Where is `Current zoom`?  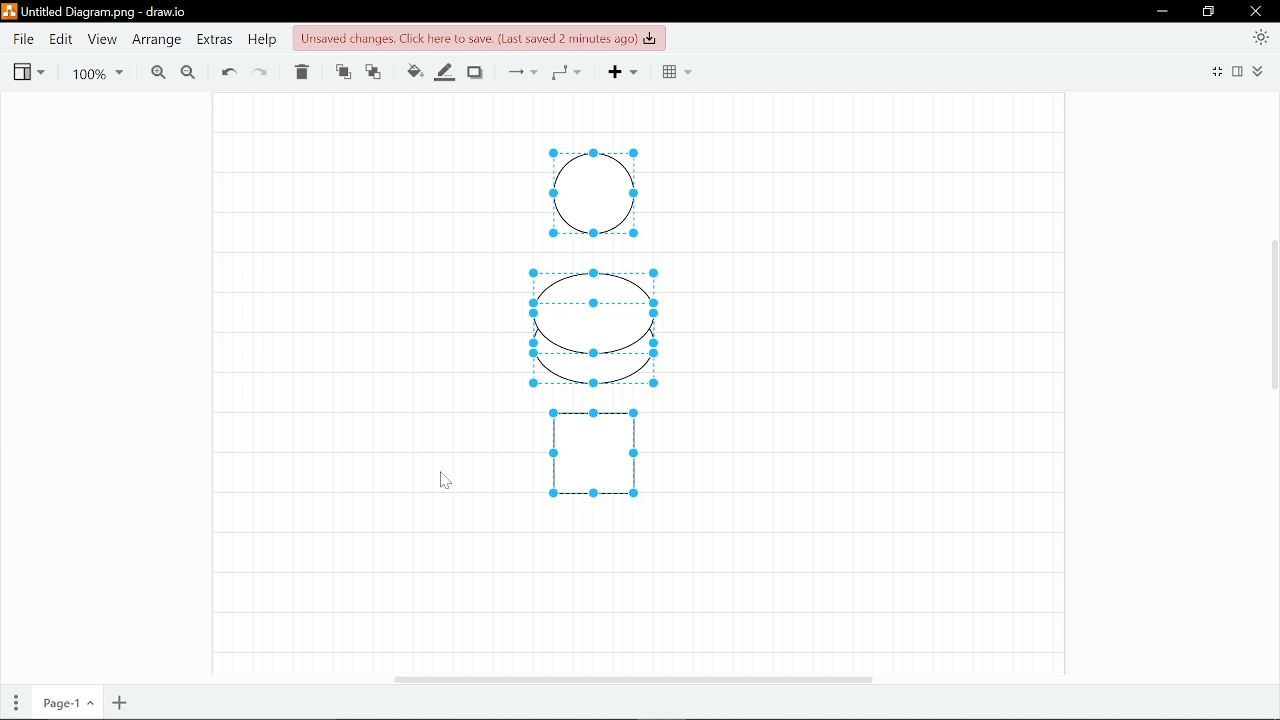
Current zoom is located at coordinates (96, 75).